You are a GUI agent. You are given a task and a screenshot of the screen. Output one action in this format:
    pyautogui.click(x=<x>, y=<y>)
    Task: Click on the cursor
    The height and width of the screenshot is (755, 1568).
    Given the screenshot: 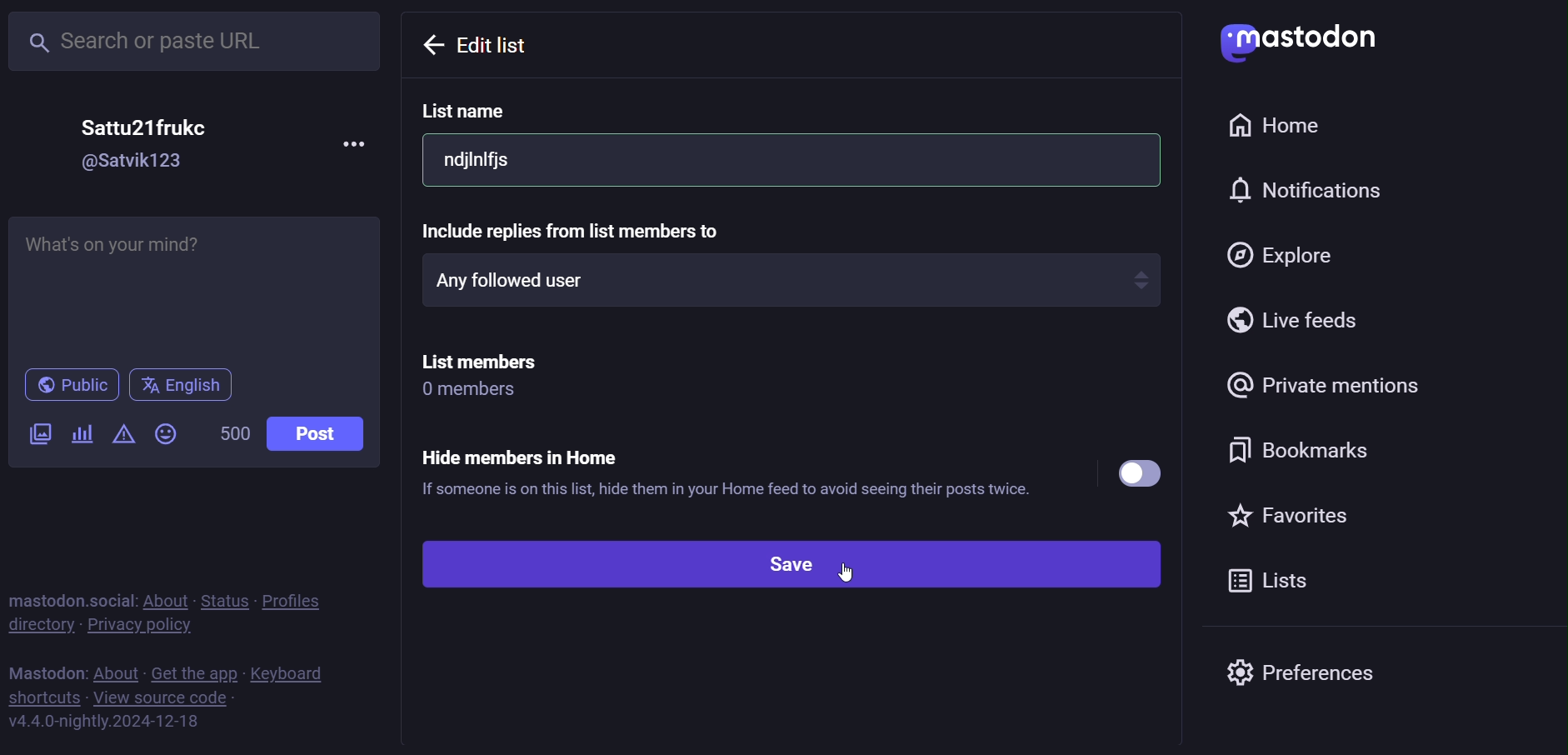 What is the action you would take?
    pyautogui.click(x=862, y=574)
    